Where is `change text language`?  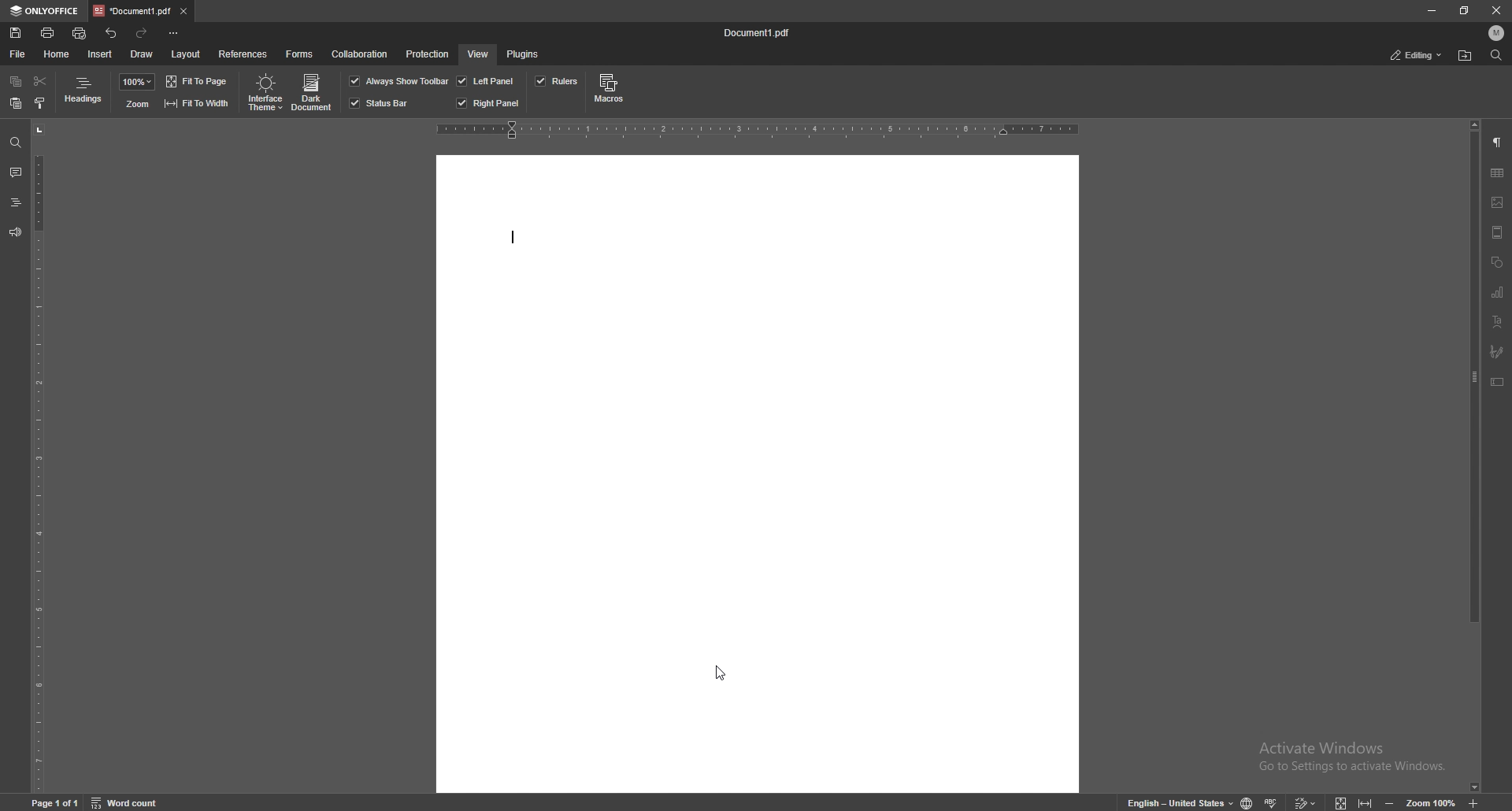
change text language is located at coordinates (1173, 801).